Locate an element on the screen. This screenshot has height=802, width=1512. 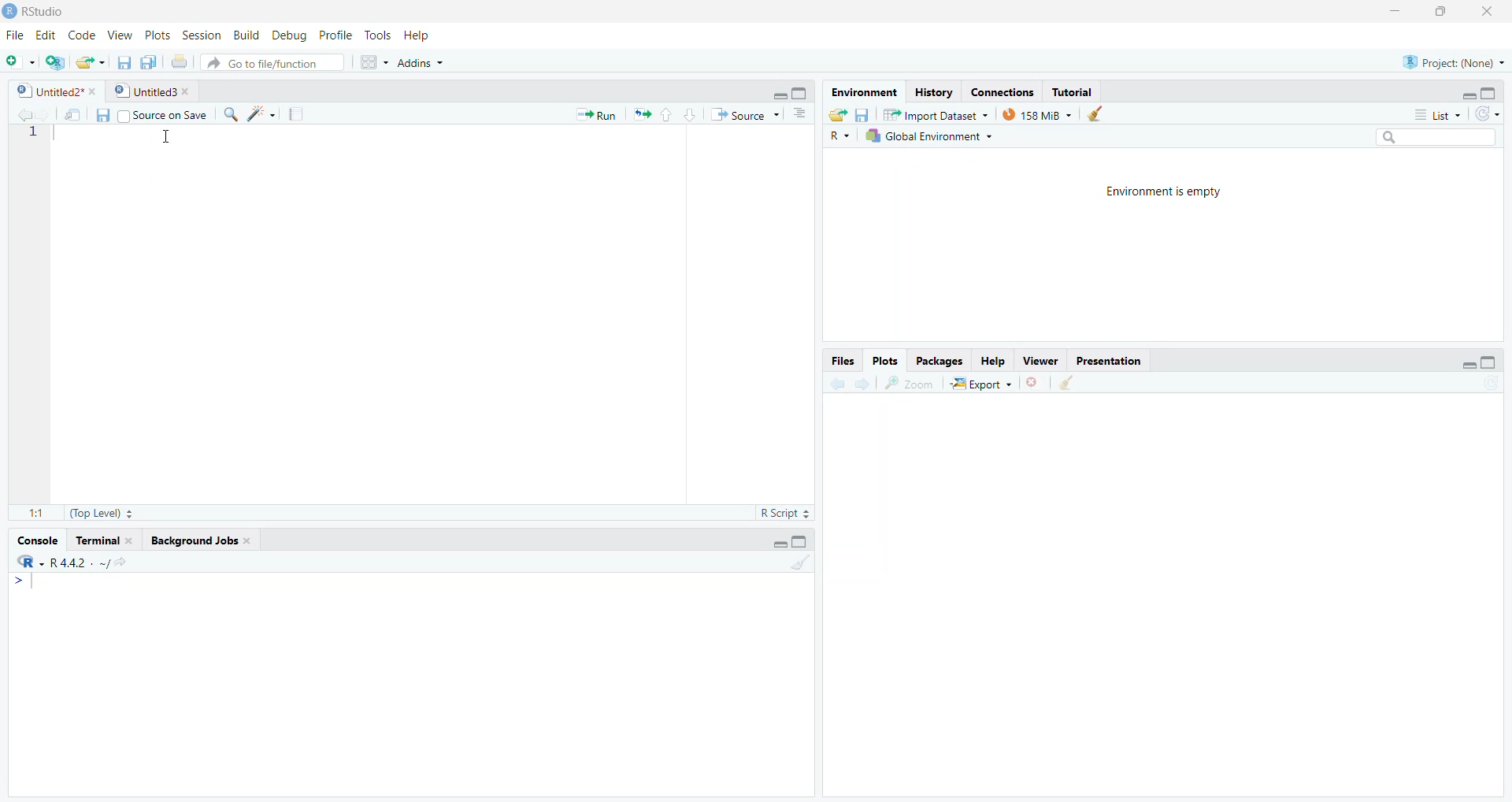
Find replace is located at coordinates (227, 116).